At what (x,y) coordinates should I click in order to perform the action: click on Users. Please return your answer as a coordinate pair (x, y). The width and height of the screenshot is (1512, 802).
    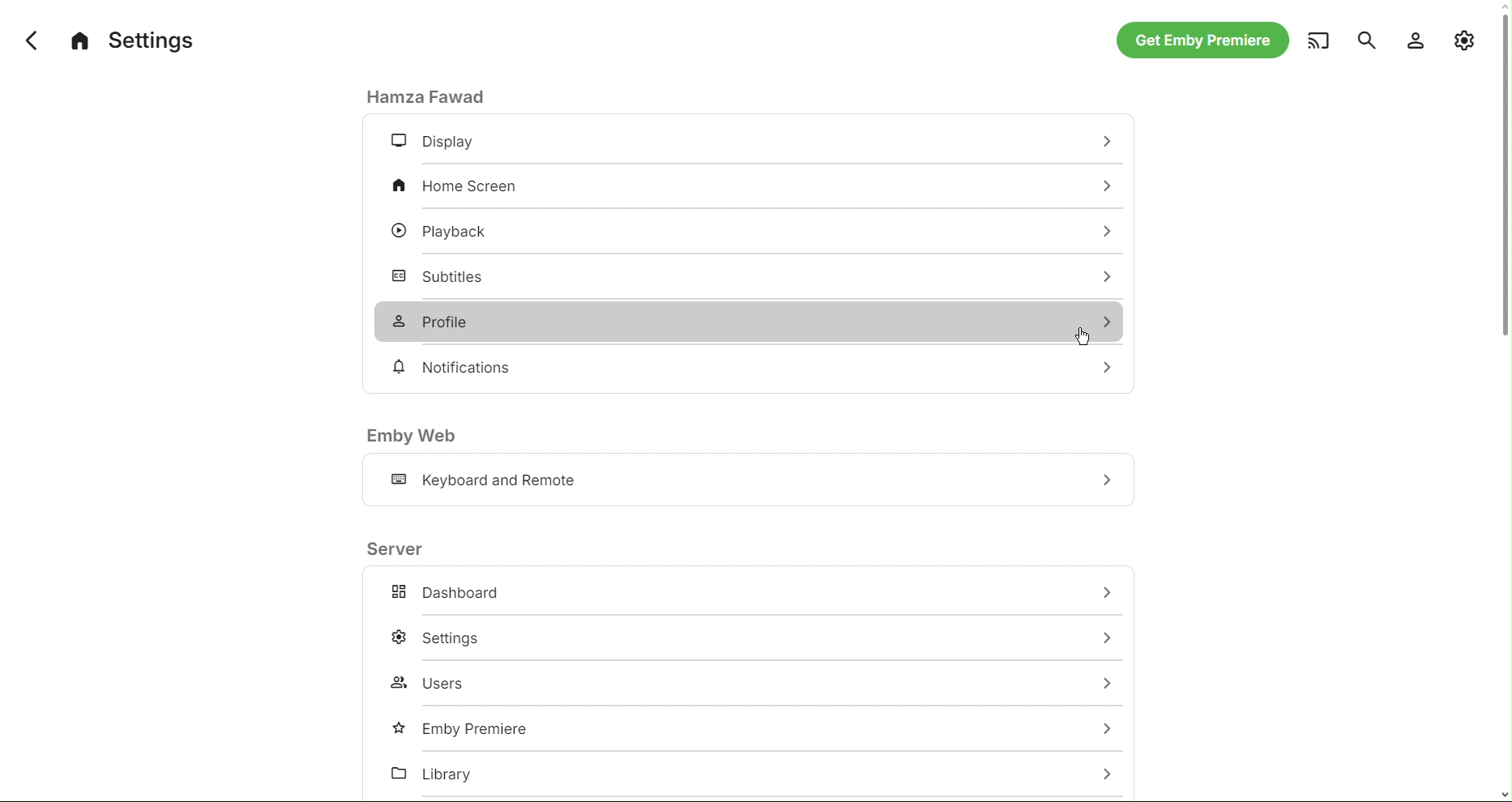
    Looking at the image, I should click on (435, 683).